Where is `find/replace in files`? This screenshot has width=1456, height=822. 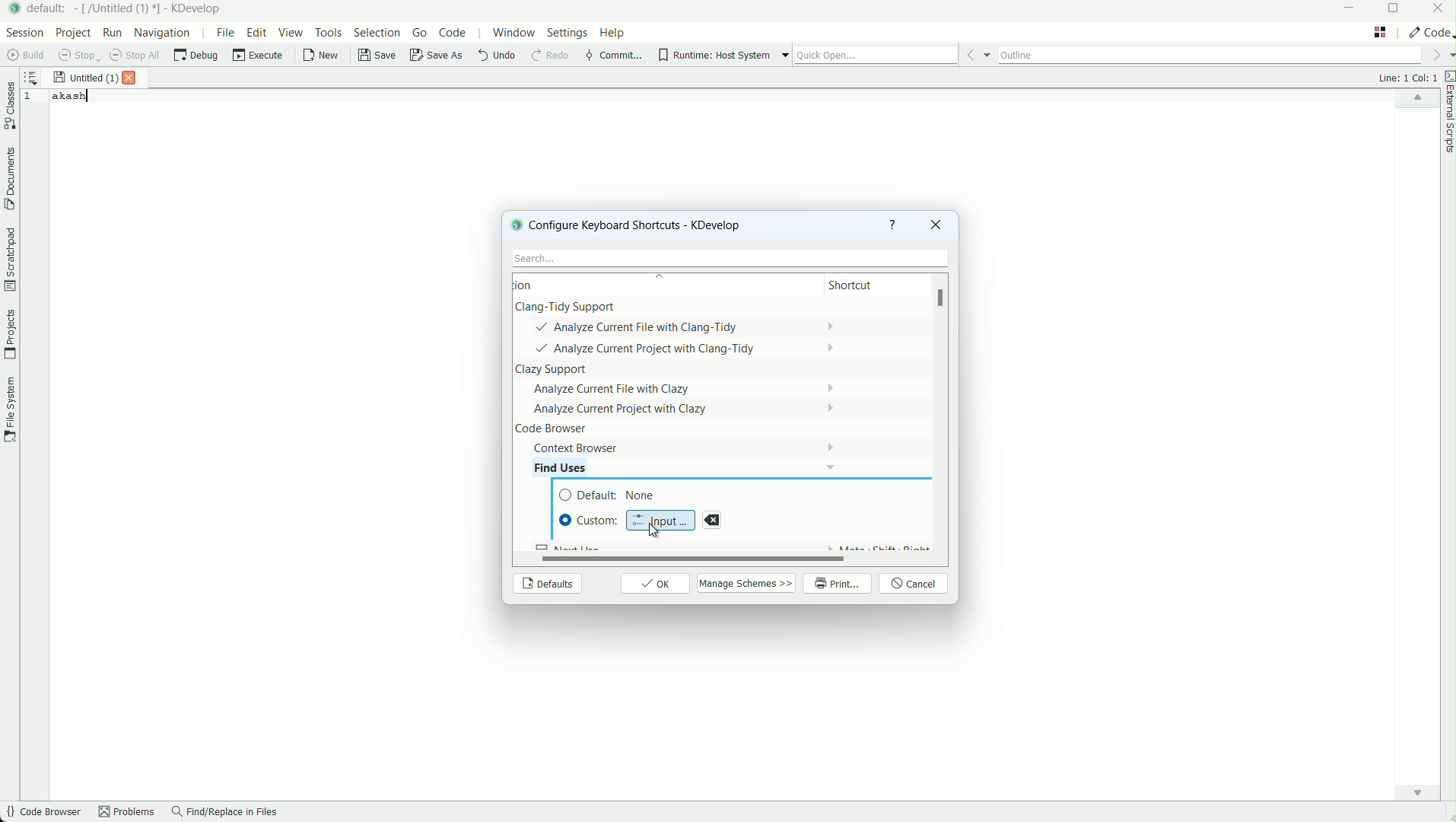
find/replace in files is located at coordinates (225, 813).